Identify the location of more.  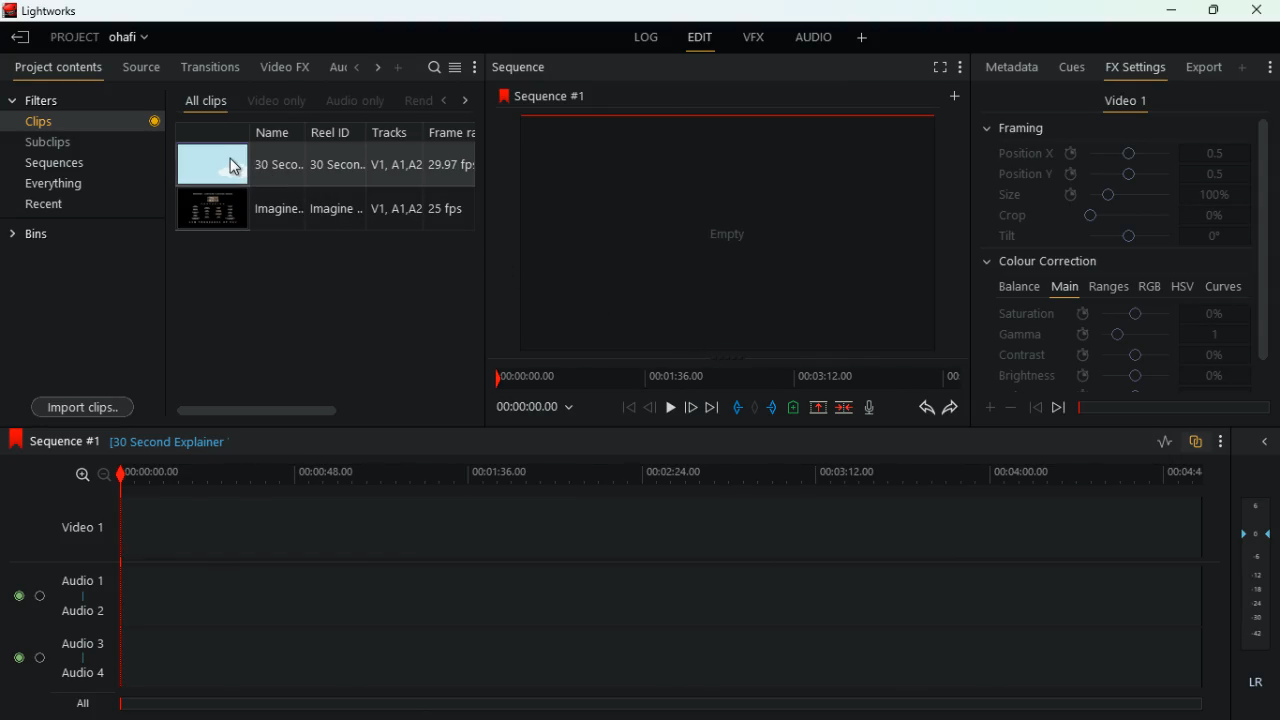
(952, 99).